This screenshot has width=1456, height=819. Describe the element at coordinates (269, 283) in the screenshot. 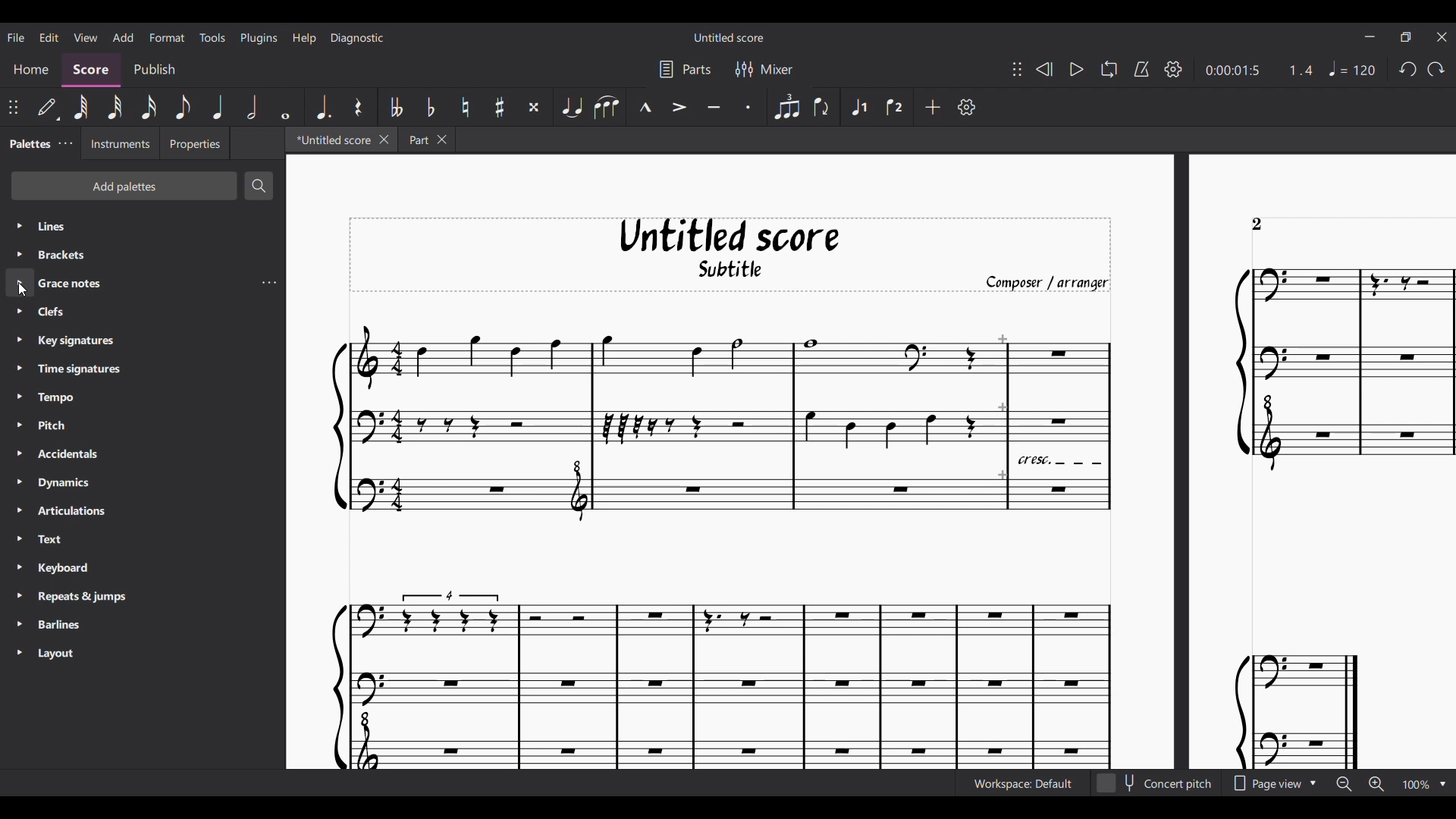

I see `Grace notes palette list` at that location.